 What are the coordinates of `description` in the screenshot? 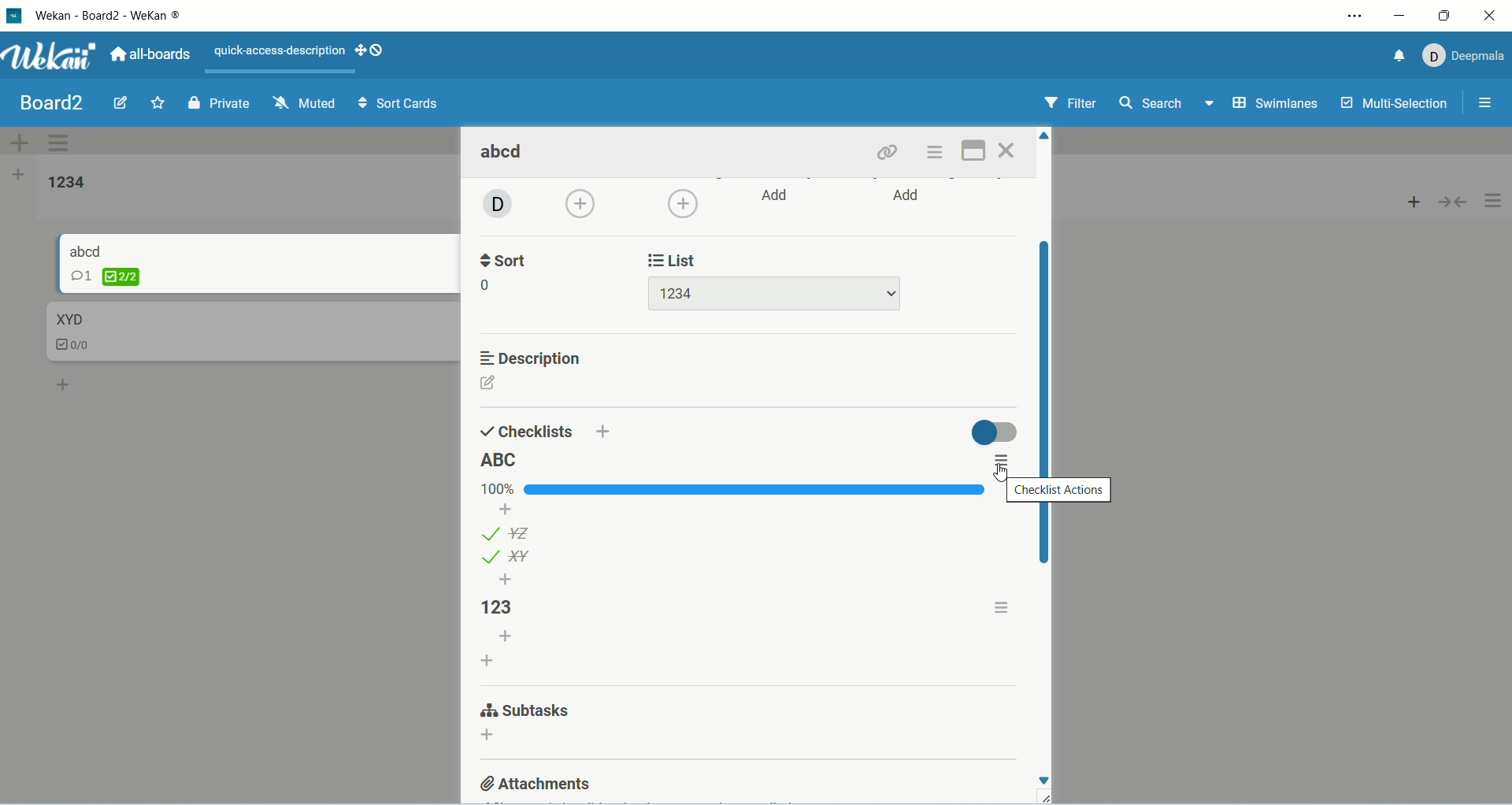 It's located at (533, 358).